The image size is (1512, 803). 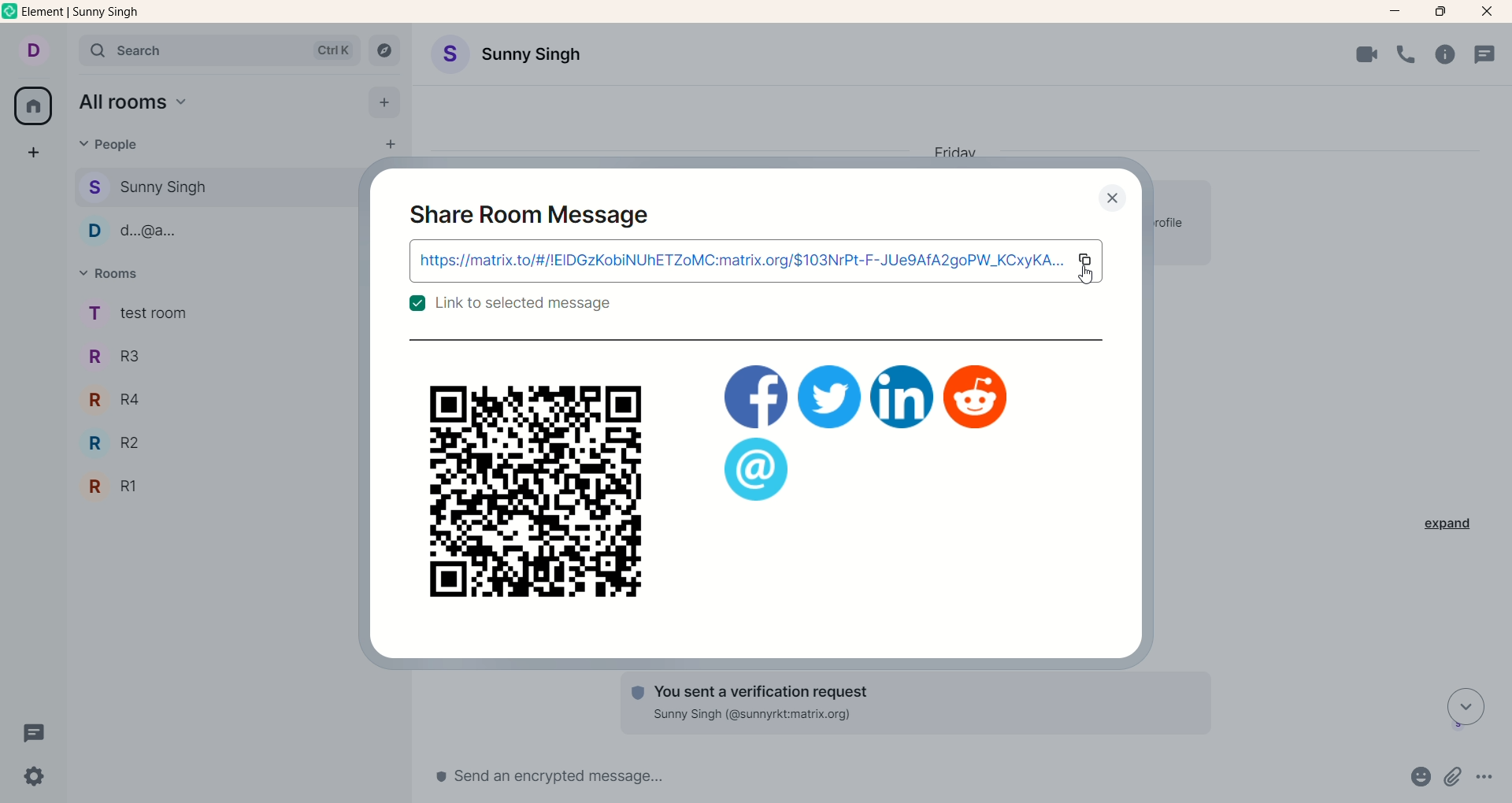 I want to click on Cursor, so click(x=1091, y=279).